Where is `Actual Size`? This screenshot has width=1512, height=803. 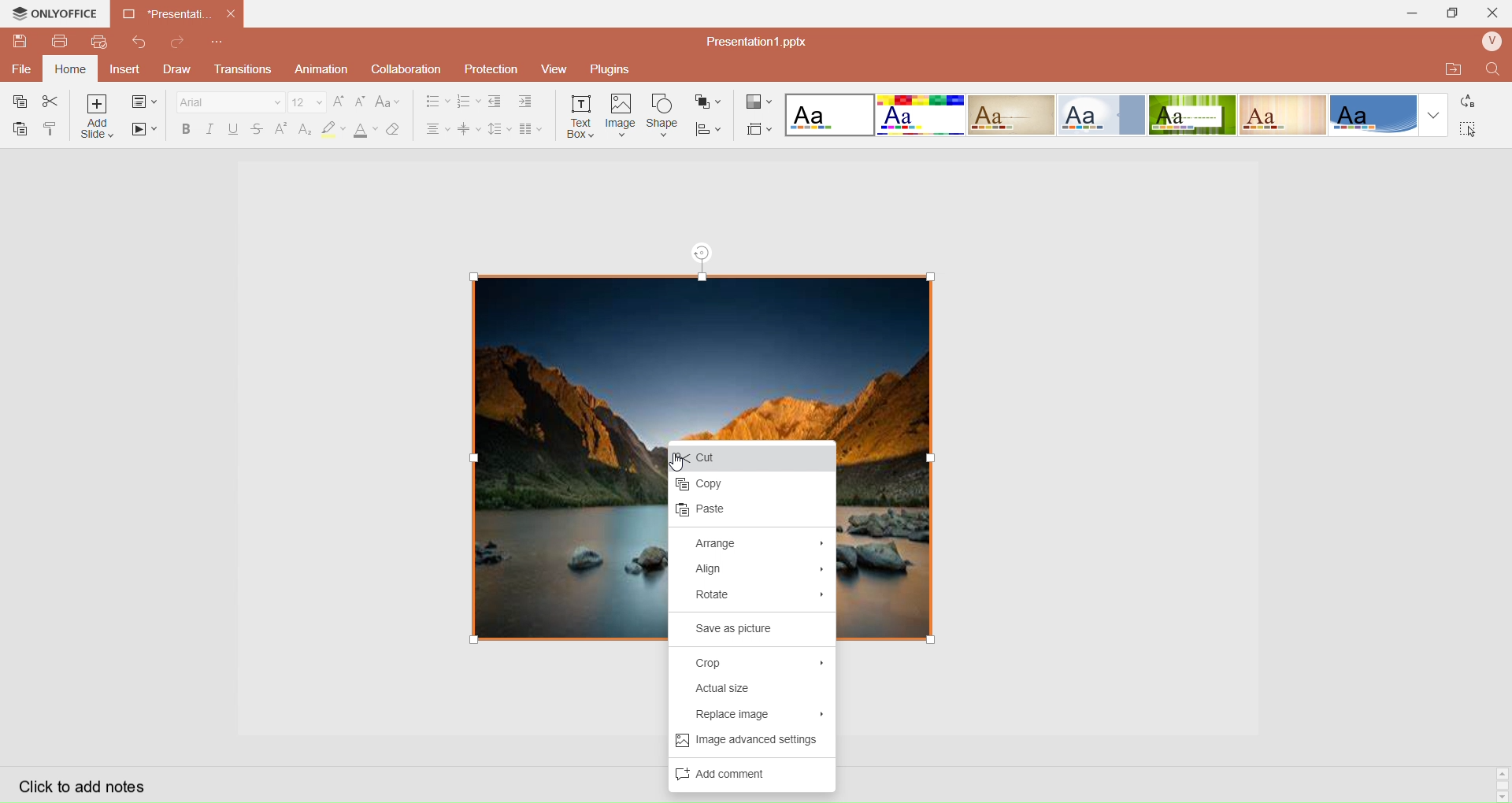
Actual Size is located at coordinates (753, 686).